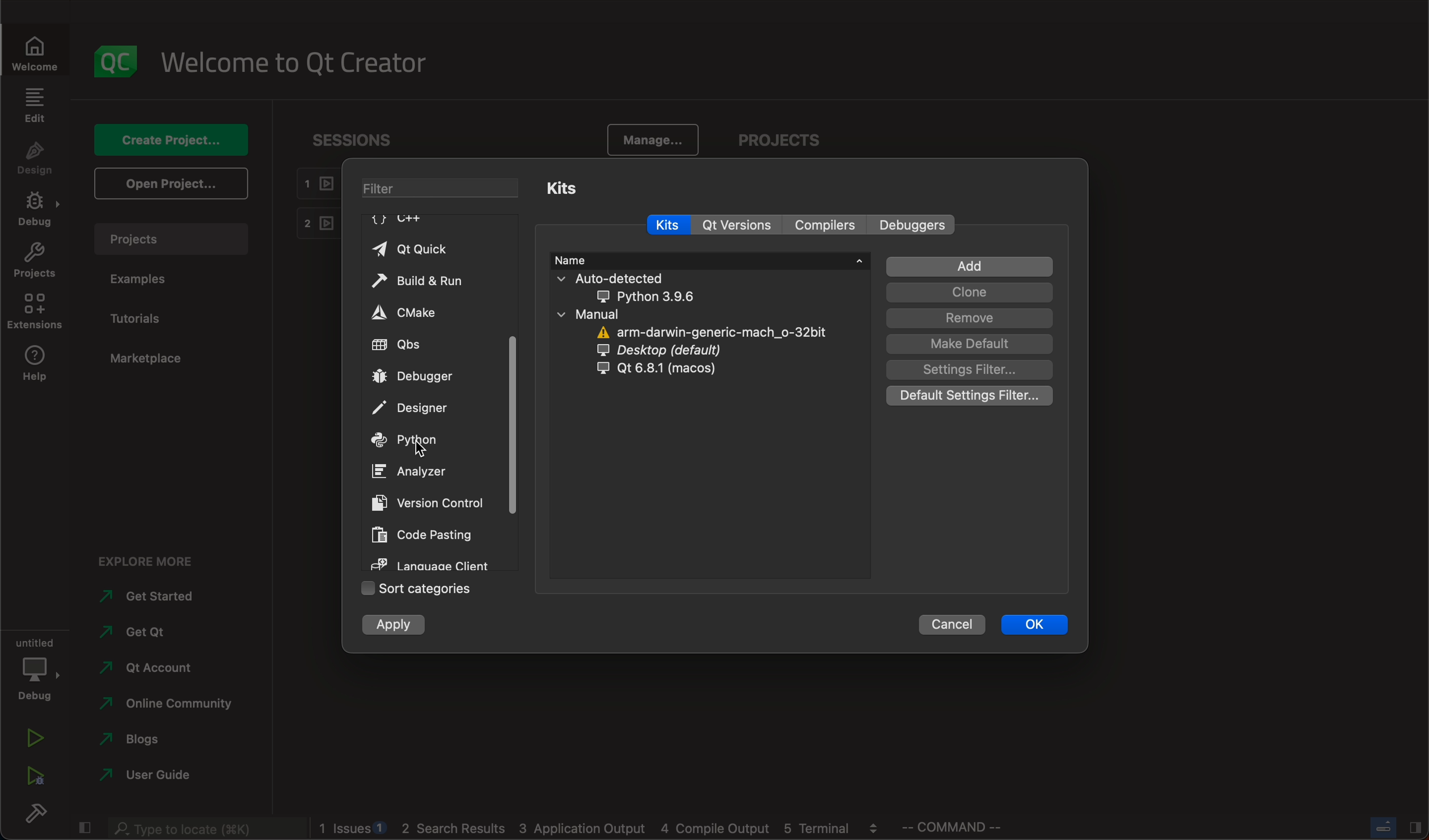 The image size is (1429, 840). What do you see at coordinates (443, 188) in the screenshot?
I see `filter` at bounding box center [443, 188].